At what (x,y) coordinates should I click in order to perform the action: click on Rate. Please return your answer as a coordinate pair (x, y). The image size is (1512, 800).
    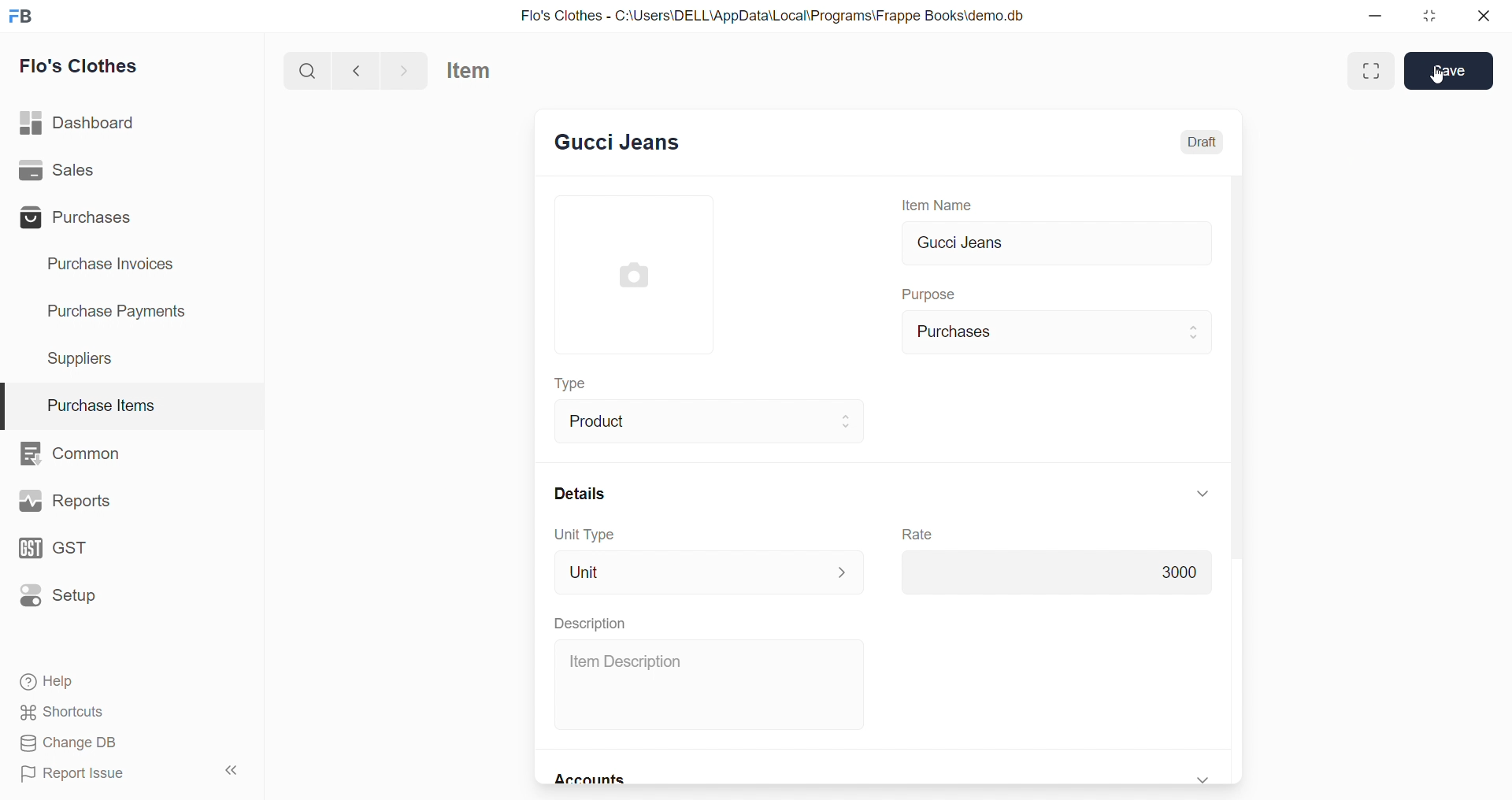
    Looking at the image, I should click on (920, 535).